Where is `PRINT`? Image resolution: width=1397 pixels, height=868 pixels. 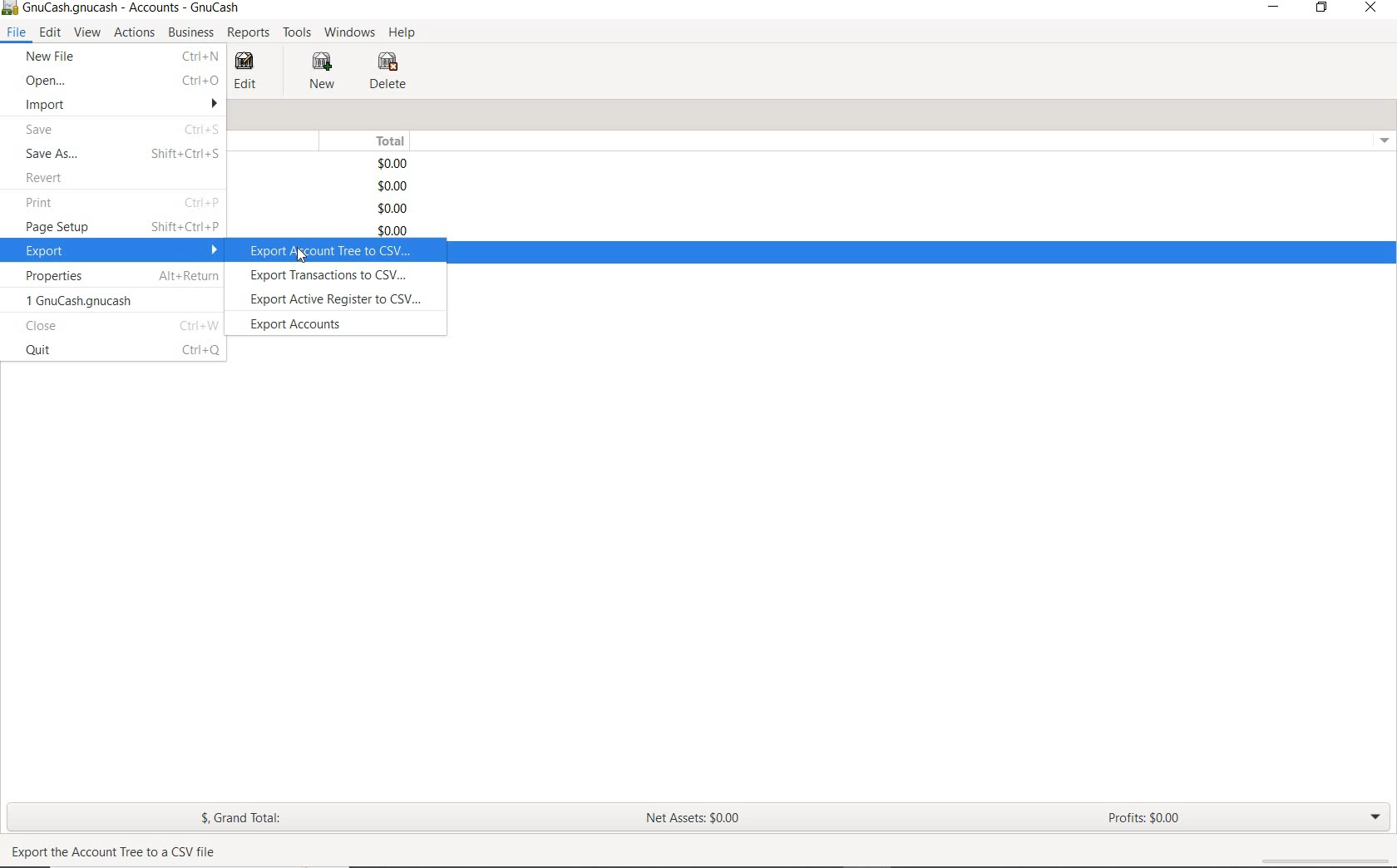
PRINT is located at coordinates (38, 204).